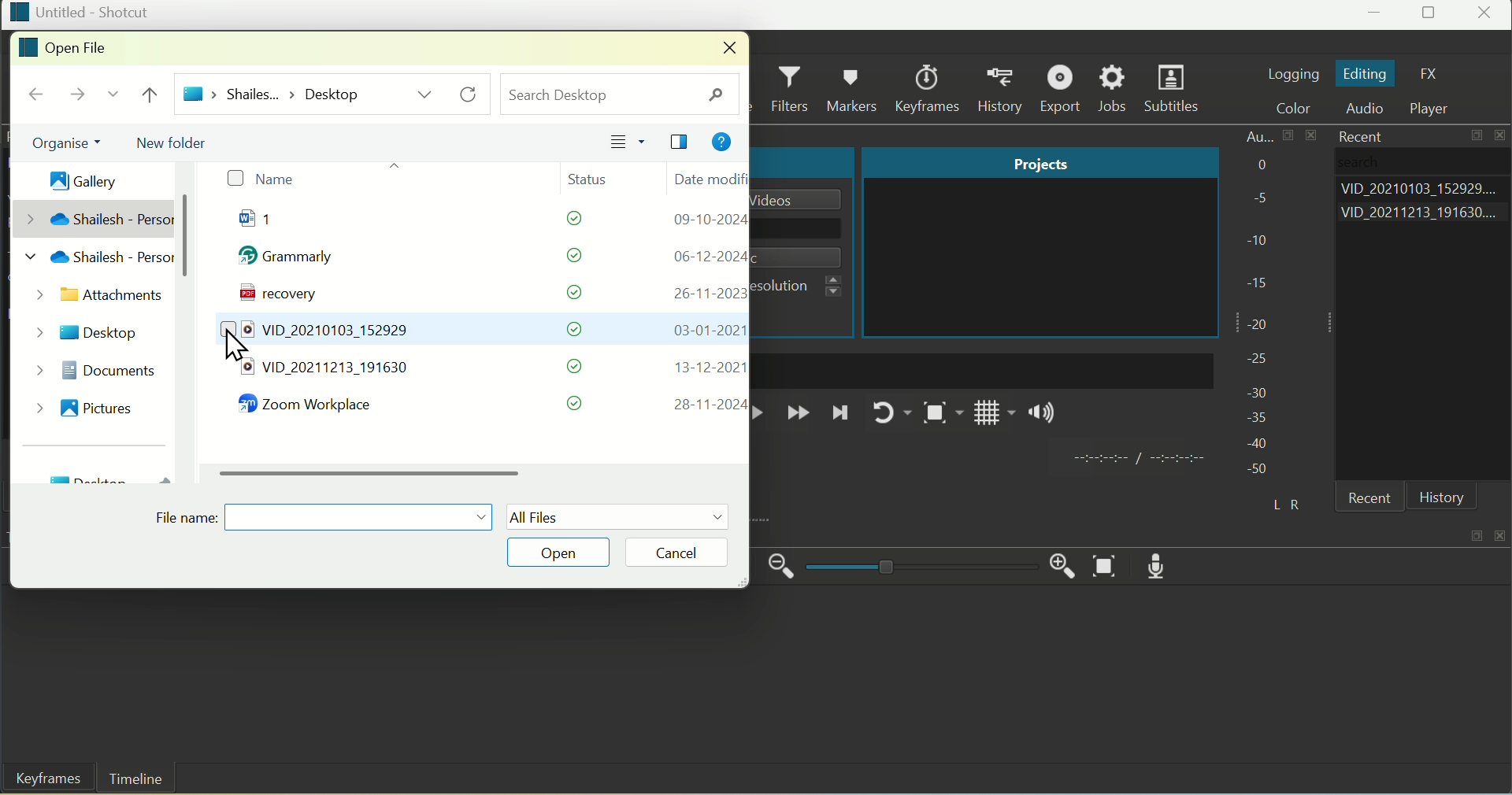  Describe the element at coordinates (1432, 74) in the screenshot. I see `` at that location.